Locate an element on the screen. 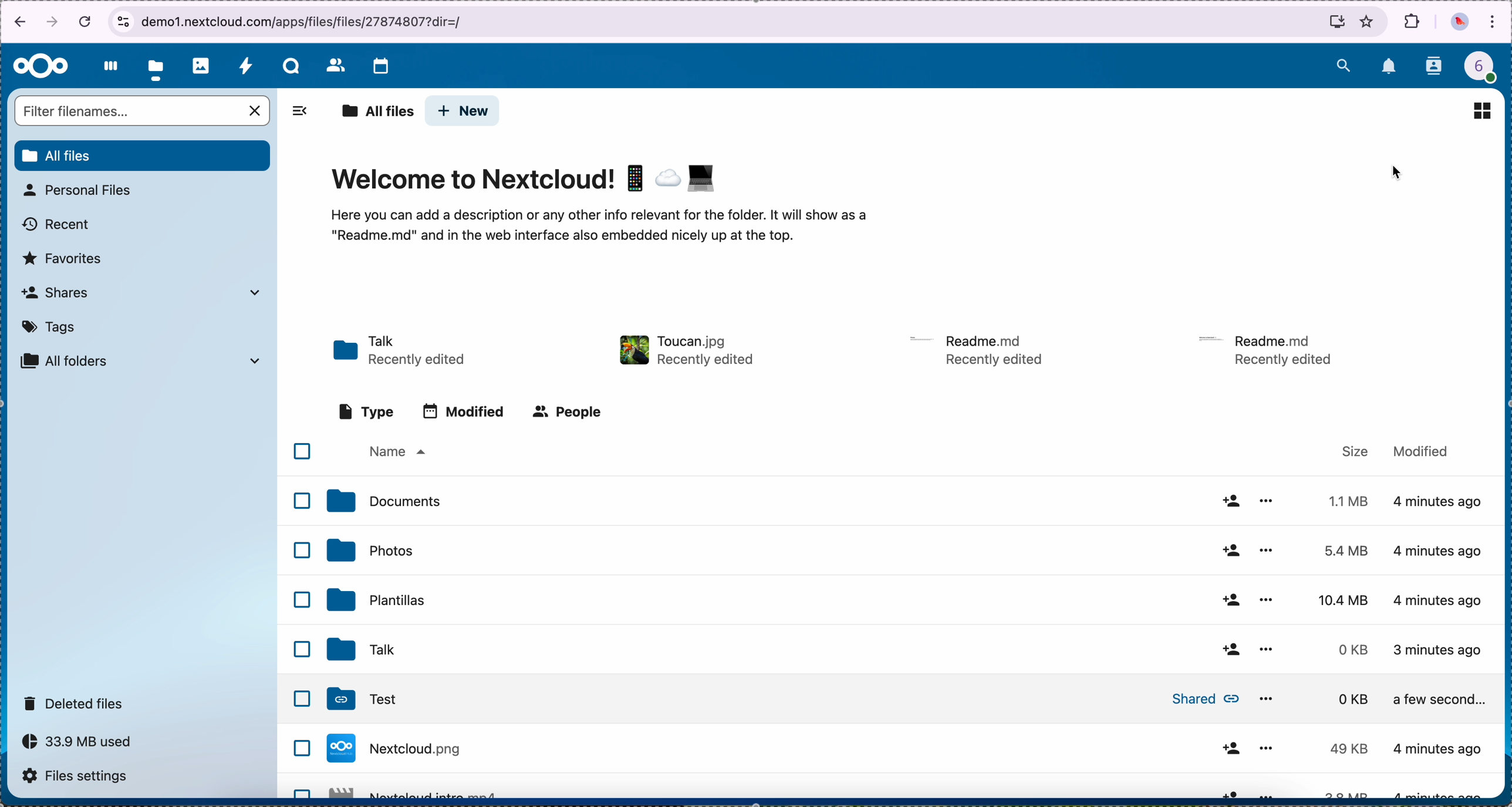 This screenshot has height=807, width=1512. cancel is located at coordinates (87, 21).